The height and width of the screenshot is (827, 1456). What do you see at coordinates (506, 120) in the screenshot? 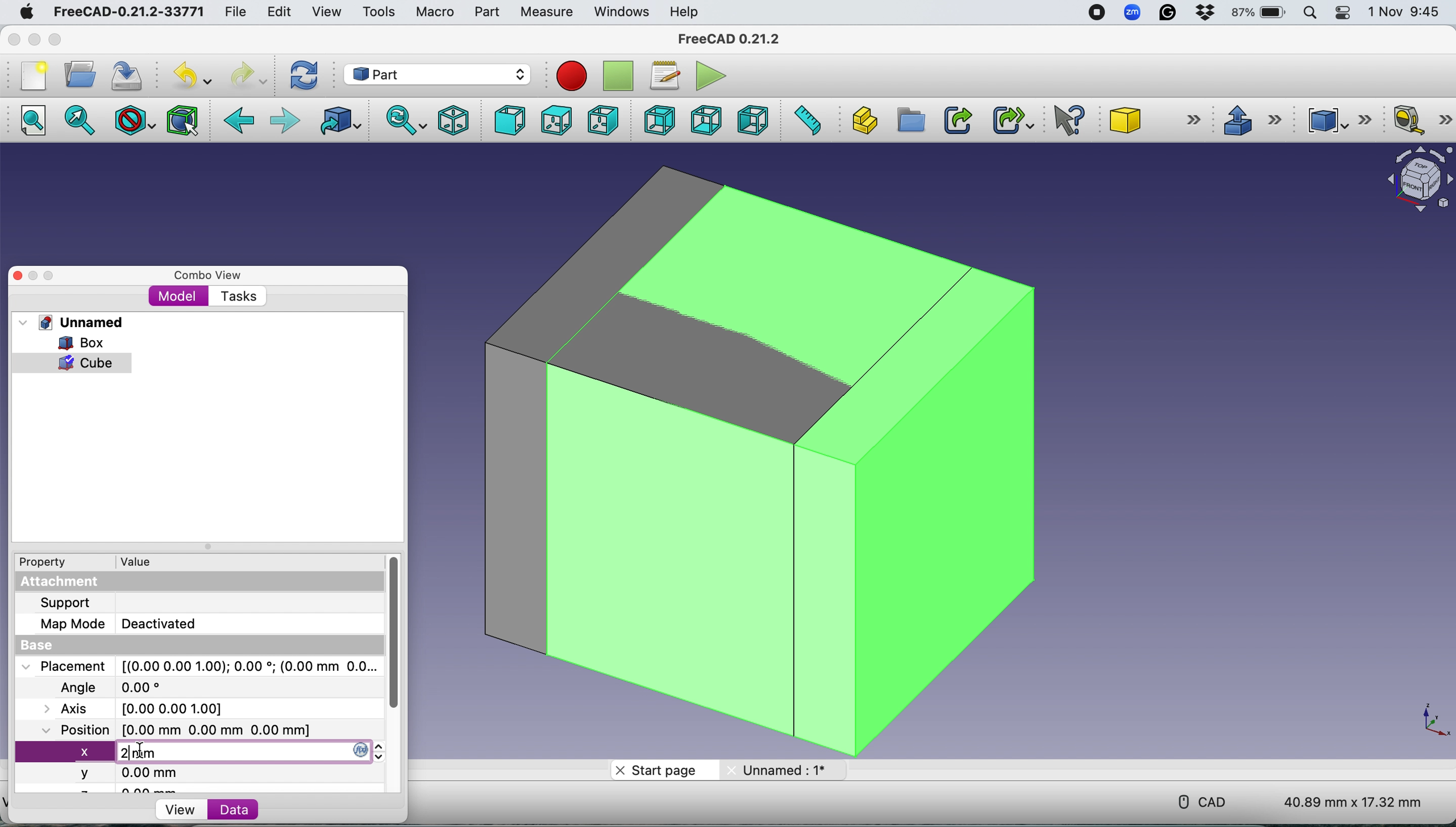
I see `Front` at bounding box center [506, 120].